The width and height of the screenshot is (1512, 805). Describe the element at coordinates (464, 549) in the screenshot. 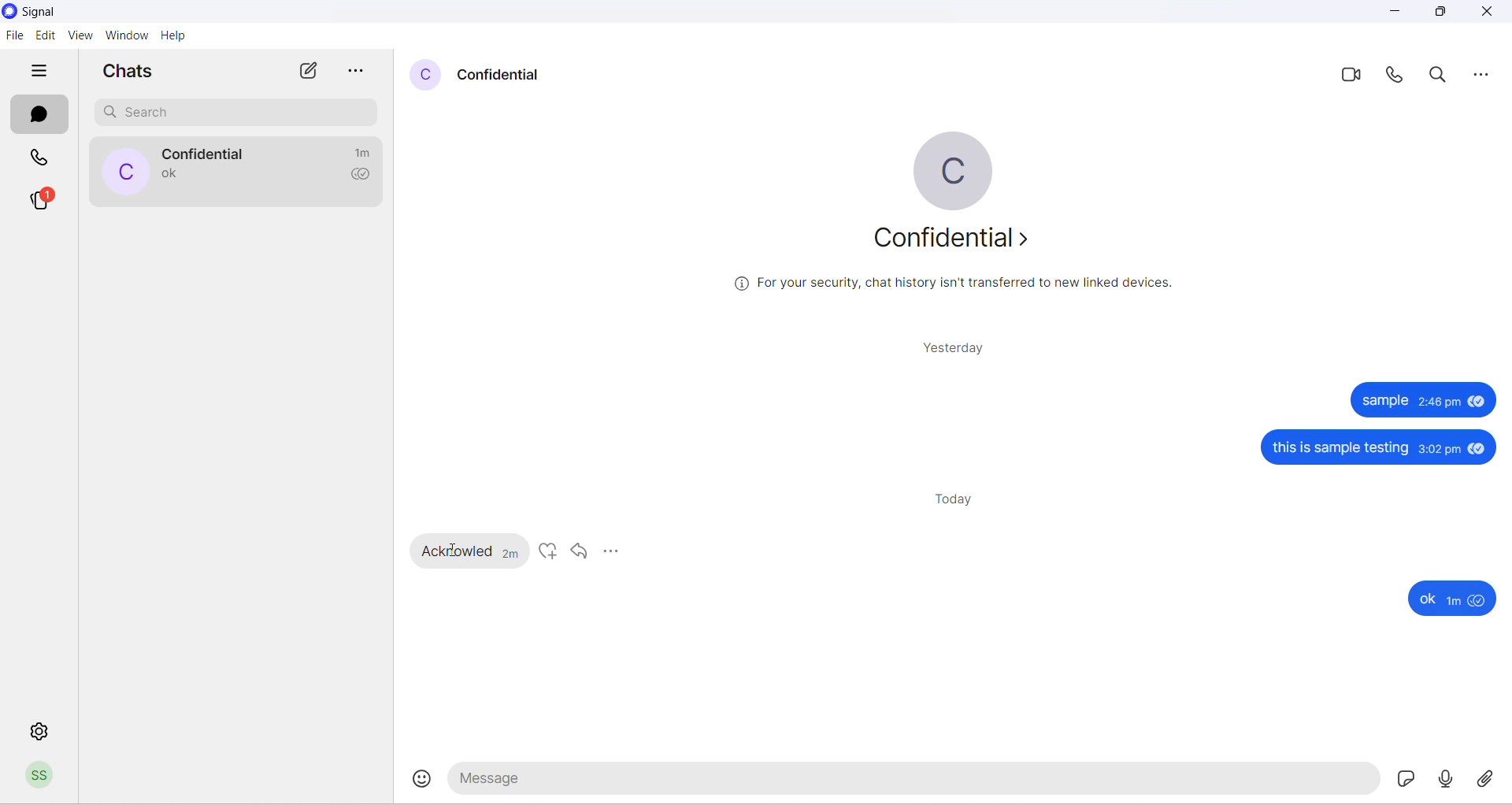

I see `received messages ` at that location.